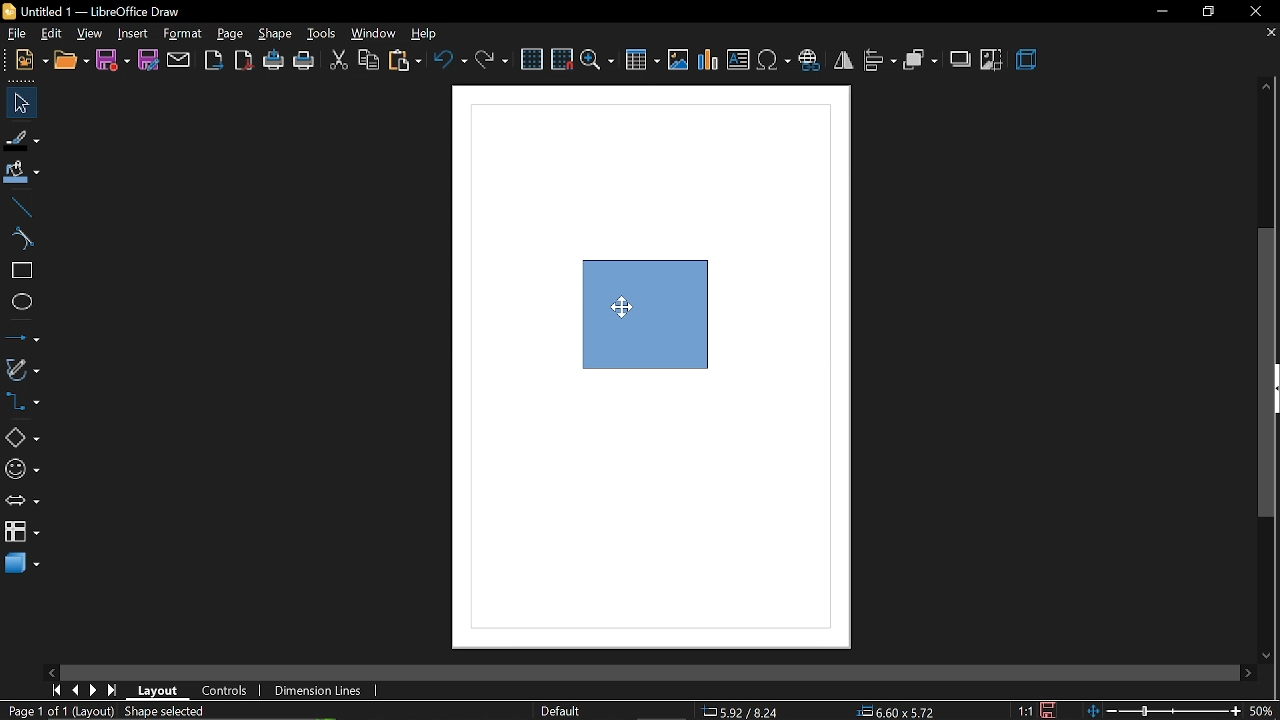 The image size is (1280, 720). Describe the element at coordinates (245, 61) in the screenshot. I see `export as pdf` at that location.